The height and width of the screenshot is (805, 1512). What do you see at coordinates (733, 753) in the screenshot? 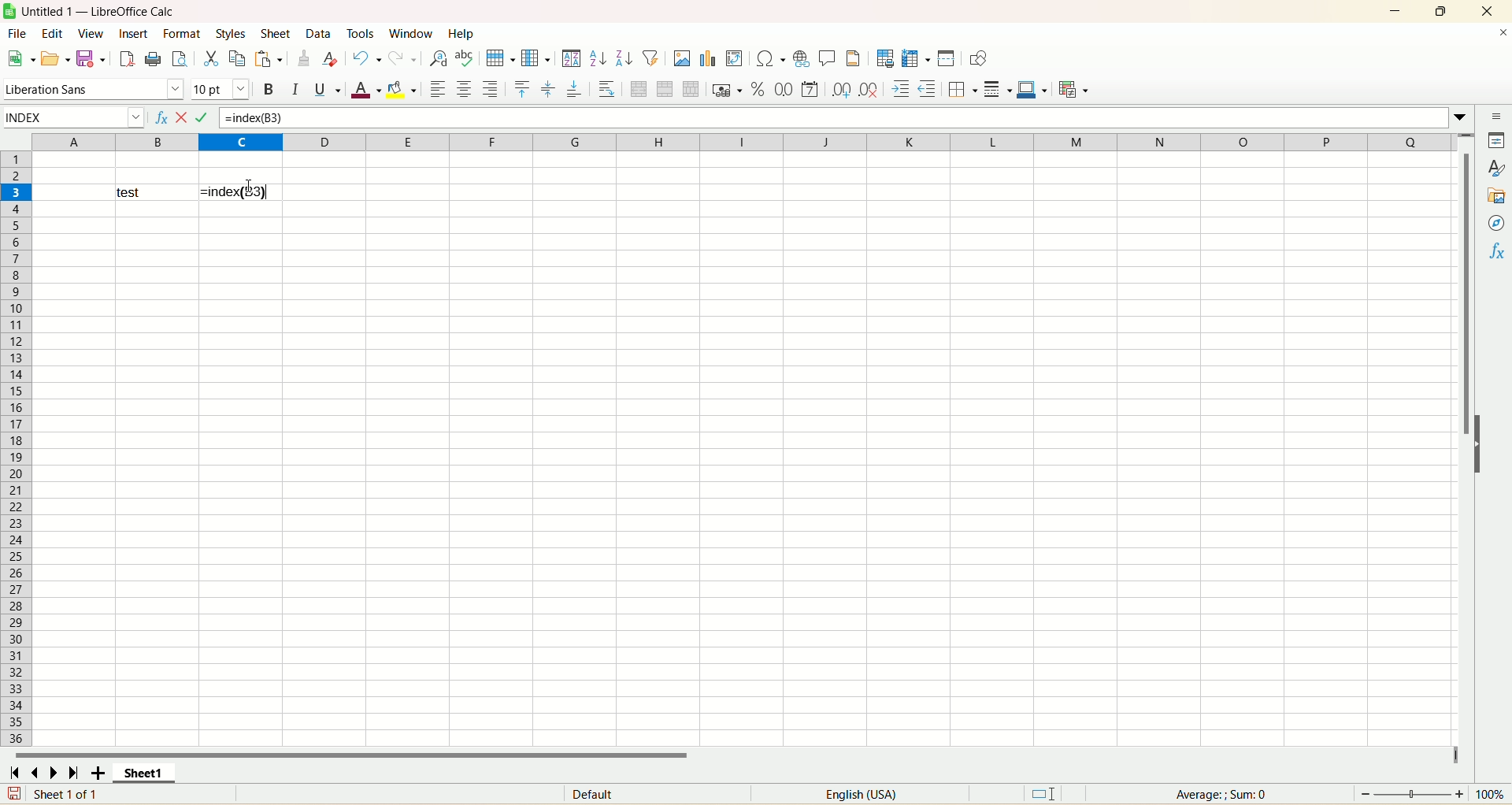
I see `horizontal scroll bar` at bounding box center [733, 753].